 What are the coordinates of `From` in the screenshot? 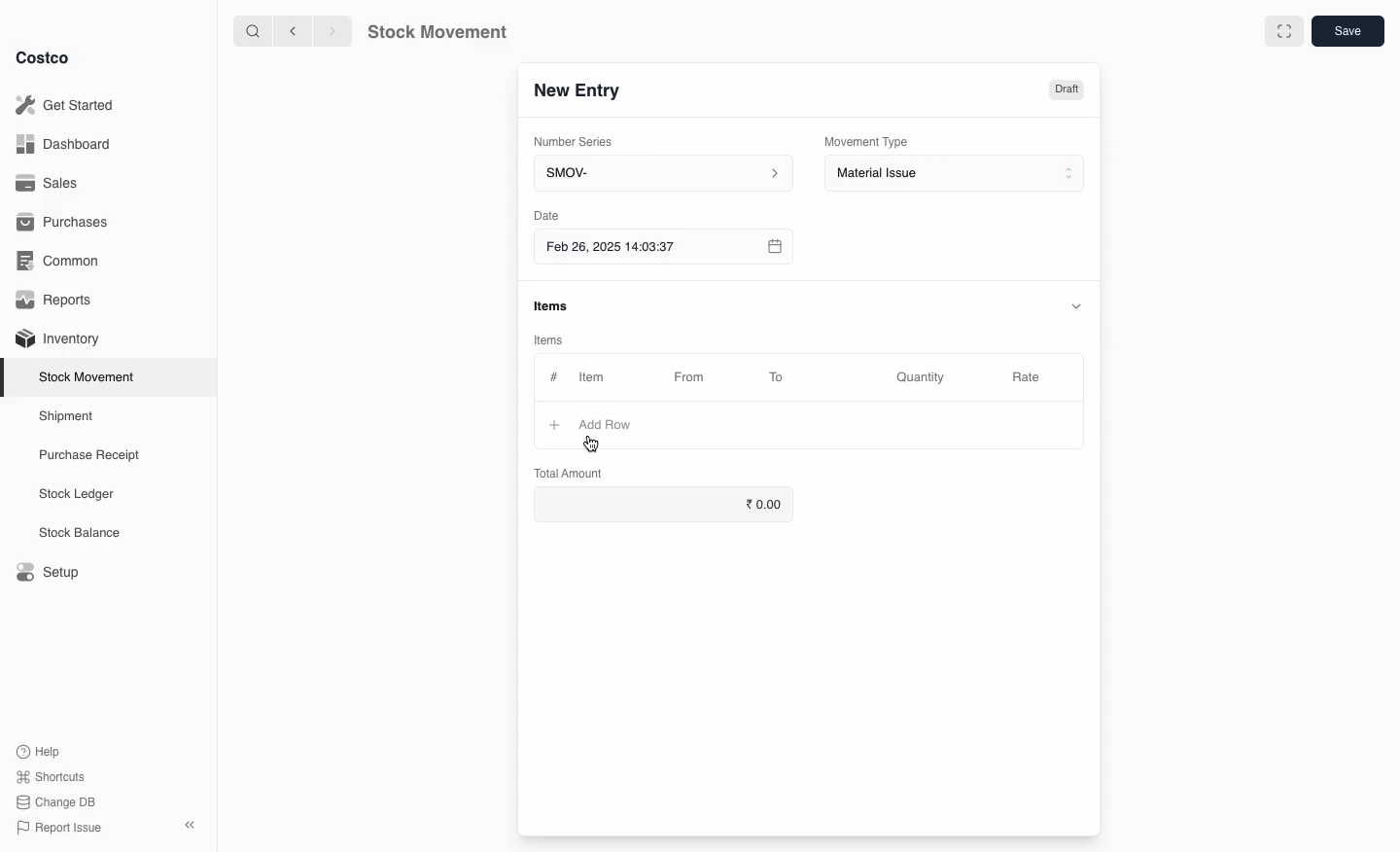 It's located at (696, 380).